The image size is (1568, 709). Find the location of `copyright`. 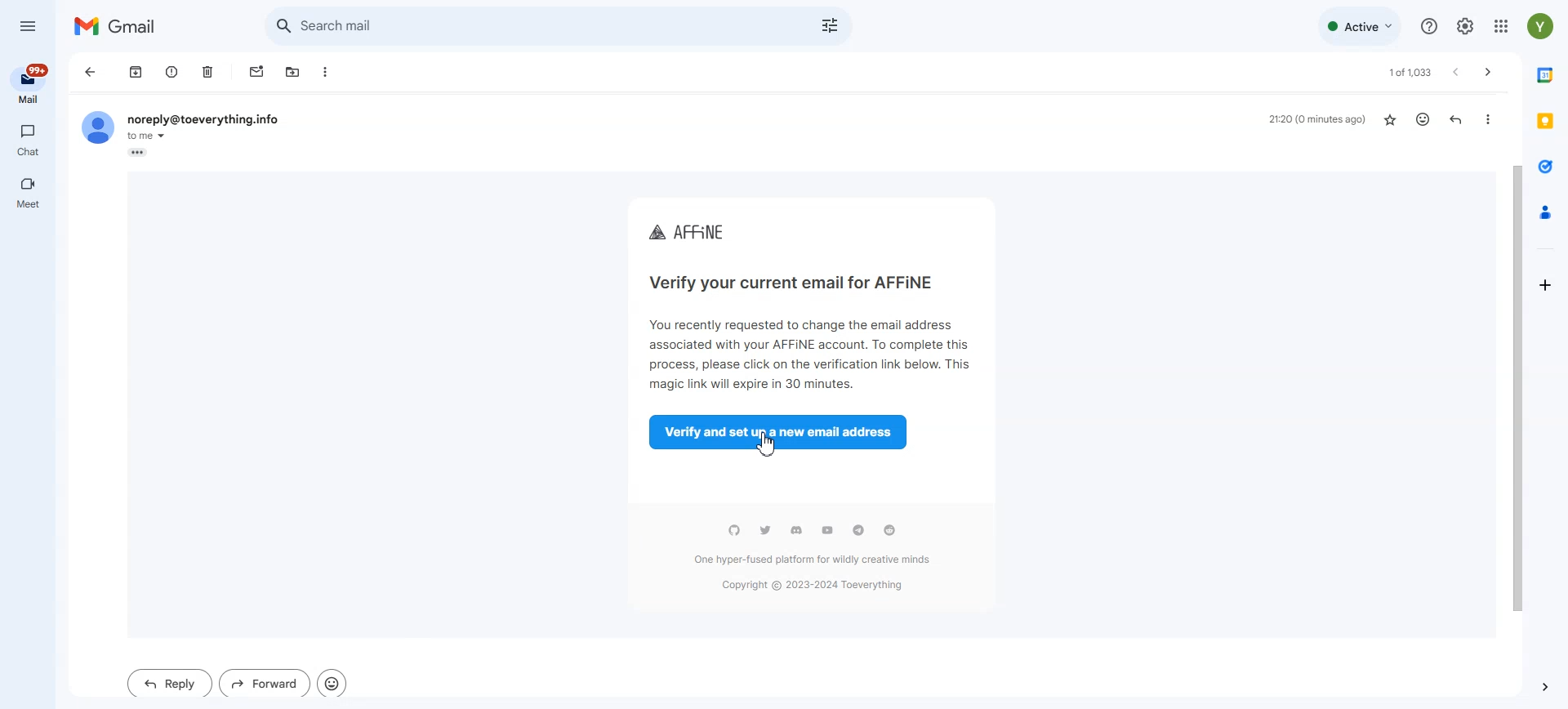

copyright is located at coordinates (813, 586).